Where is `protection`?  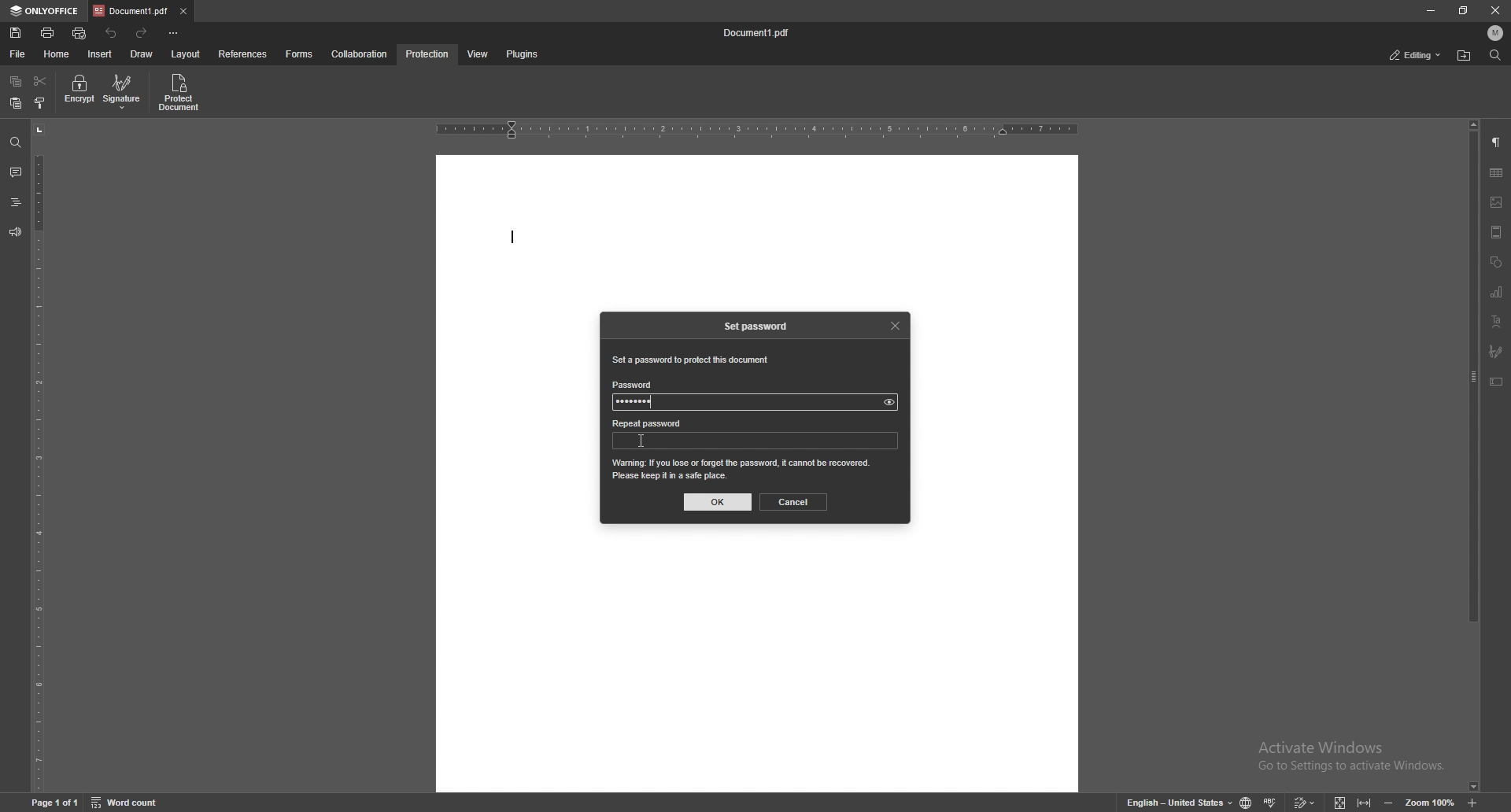 protection is located at coordinates (428, 54).